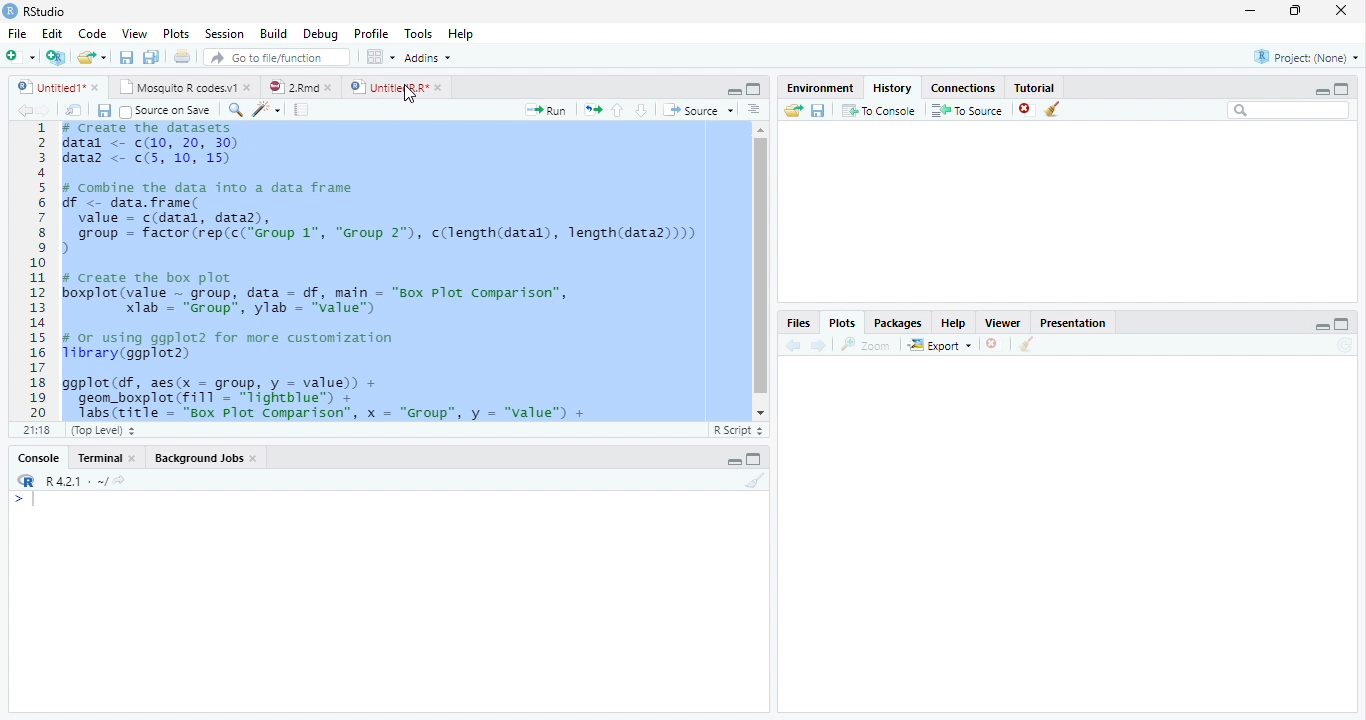 This screenshot has height=720, width=1366. Describe the element at coordinates (388, 271) in the screenshot. I see `# Create the datasets
datal <- (10, 20, 30)
data2 <- c(5, 10, 15)
# Combine the data into a data frame
of <- data.frame(
value = c(datal, data2),
group = factor (rep(c("Group 1", "Group 2"), c(length(datal), length(data2))))
)
# Create the box plot
boxplot (value ~ group, data = df, main = “Box Plot Comparison”,
x1ab = “Group”, ylab = "Value")
# or using ggplot2 for more customization
Tibrary(ggplot2)
|
9gplot (df, aes(x = group, y = value) +
‘geom_boxplot (F111 = "Tightblue™) +
Jabs(title = "Box Plot Comparison”, x = "Group™, y = "value™) +` at that location.